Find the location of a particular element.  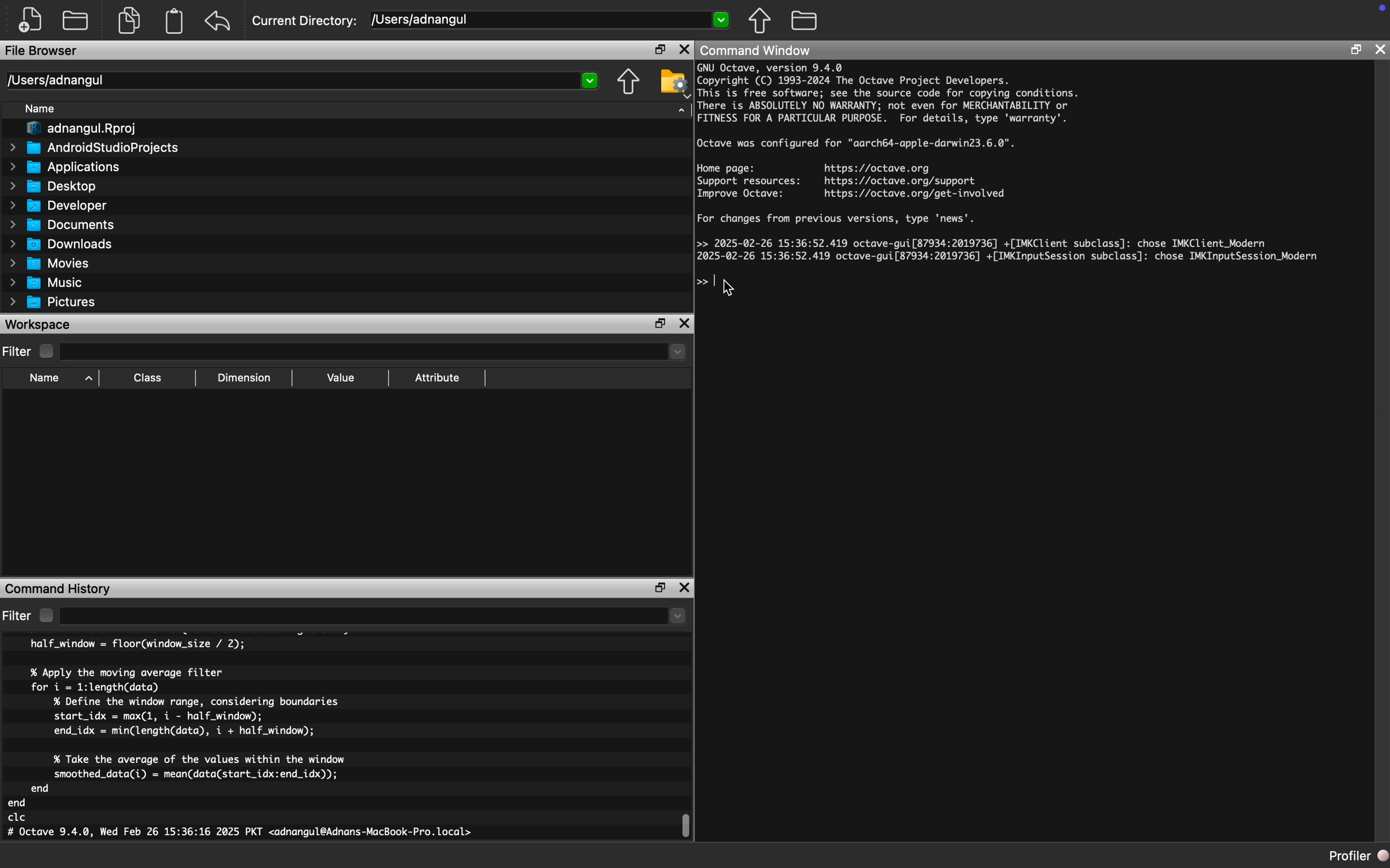

Name is located at coordinates (41, 108).